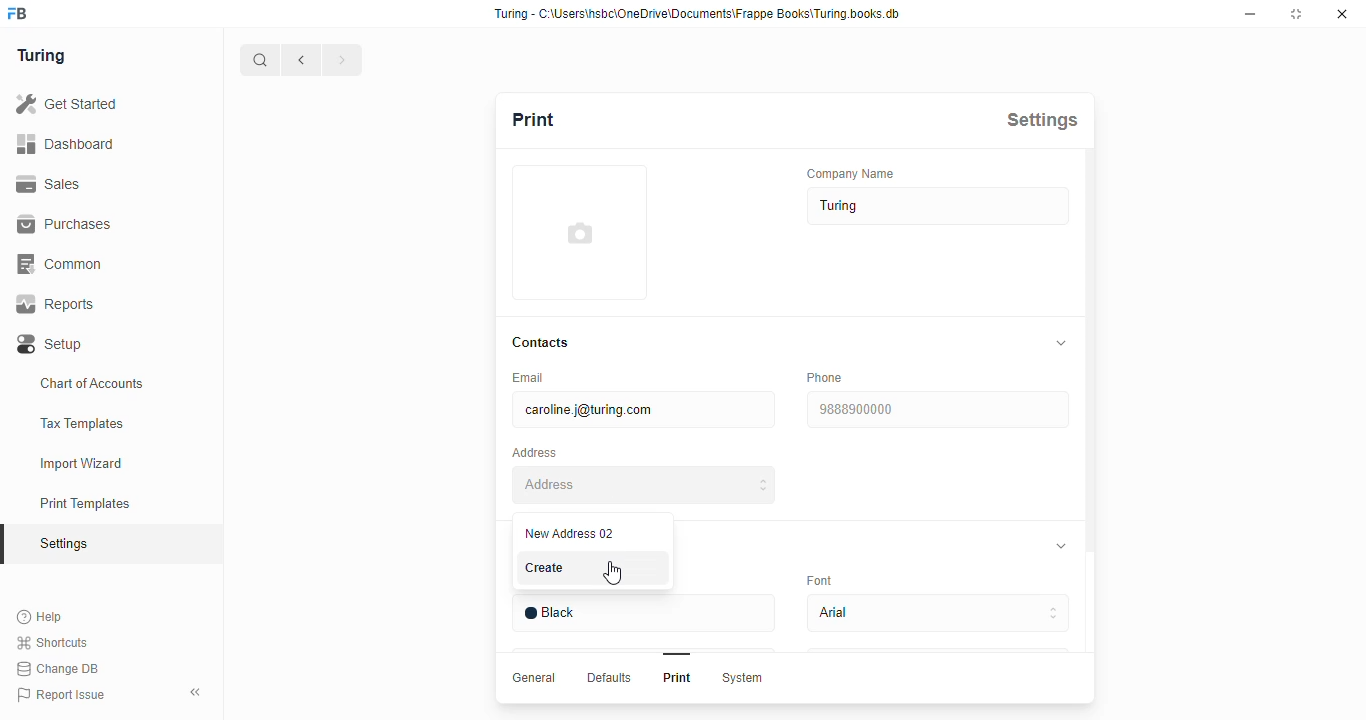 This screenshot has width=1366, height=720. What do you see at coordinates (1251, 14) in the screenshot?
I see `minimize` at bounding box center [1251, 14].